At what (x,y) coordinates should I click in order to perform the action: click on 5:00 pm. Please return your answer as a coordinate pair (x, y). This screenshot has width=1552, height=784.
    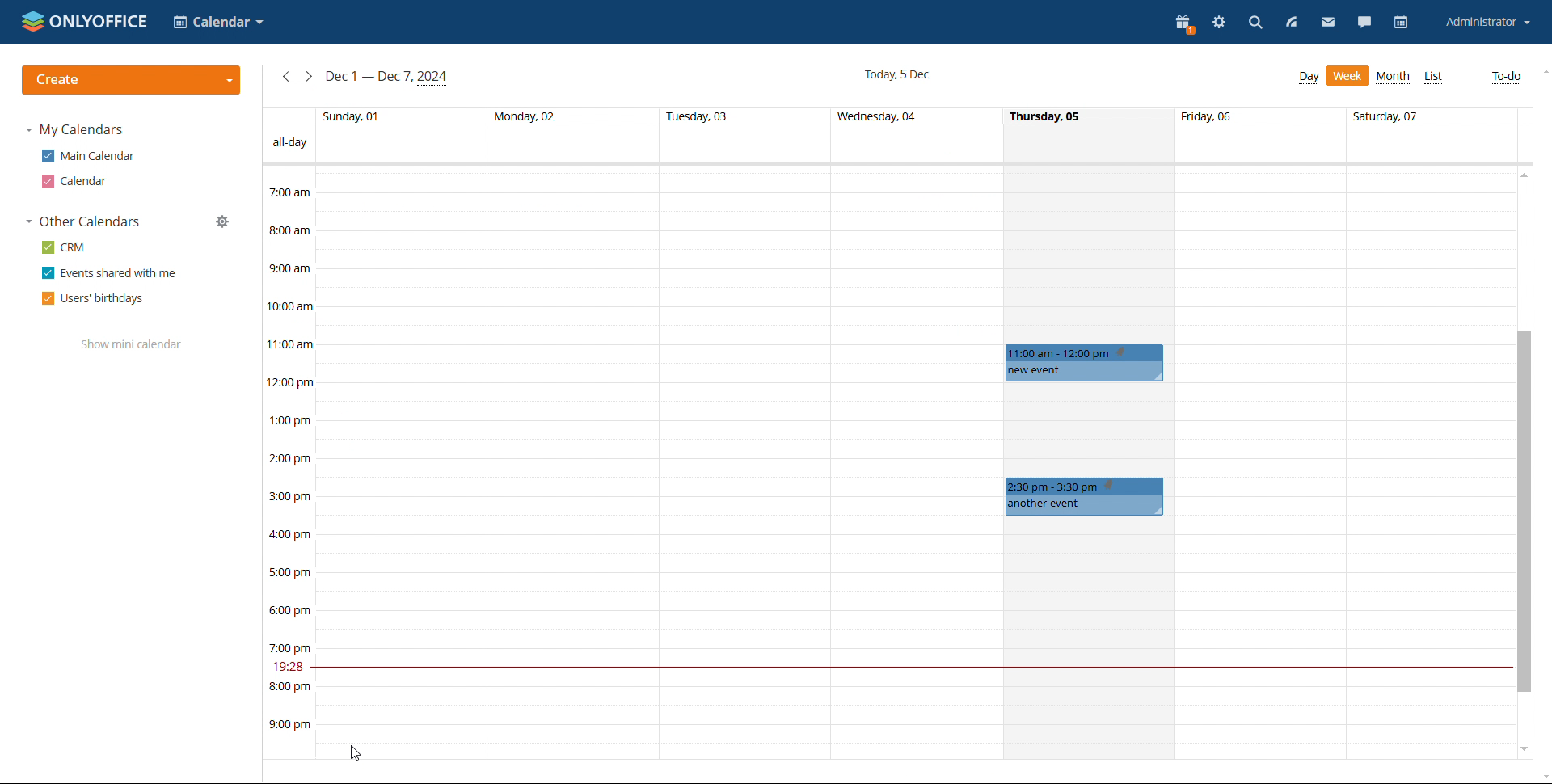
    Looking at the image, I should click on (289, 571).